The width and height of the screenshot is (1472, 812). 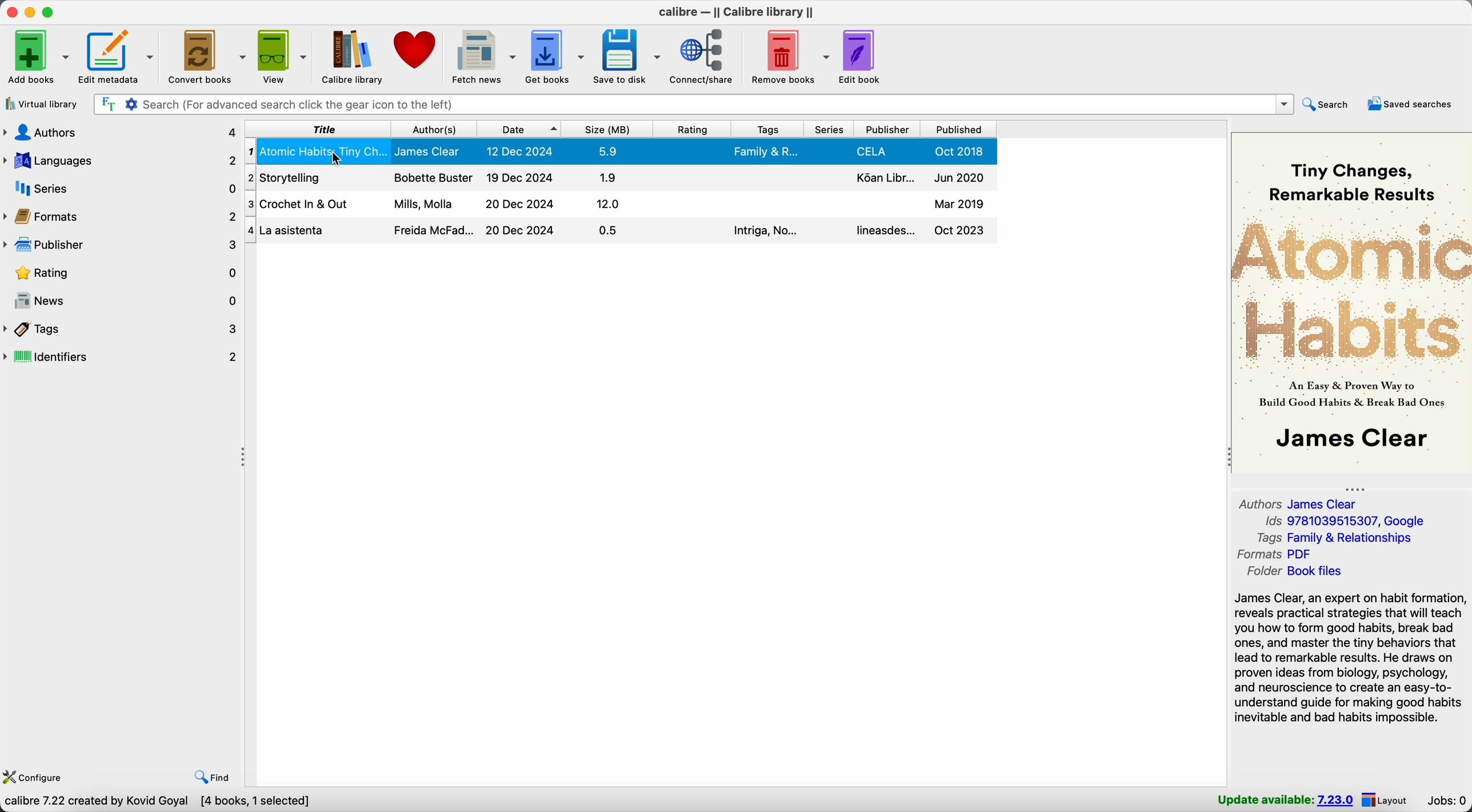 What do you see at coordinates (285, 150) in the screenshot?
I see `Atomic Habits book details` at bounding box center [285, 150].